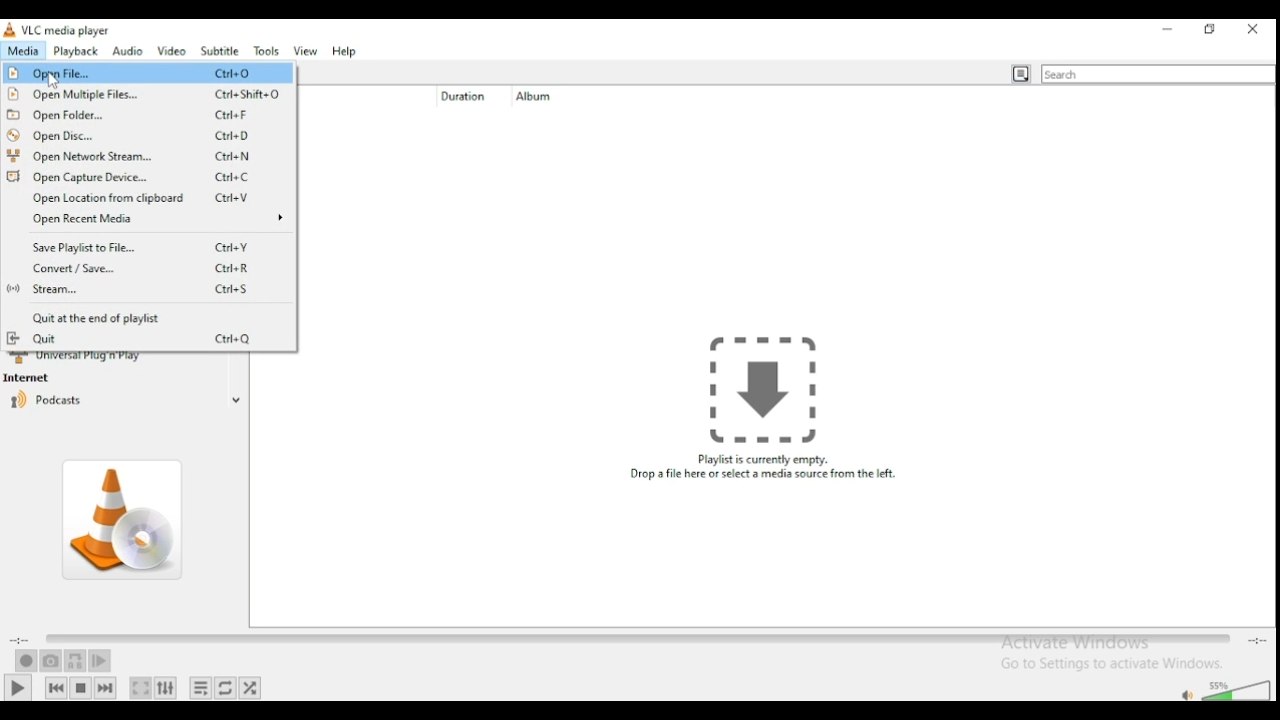 This screenshot has width=1280, height=720. I want to click on convert/save, so click(144, 268).